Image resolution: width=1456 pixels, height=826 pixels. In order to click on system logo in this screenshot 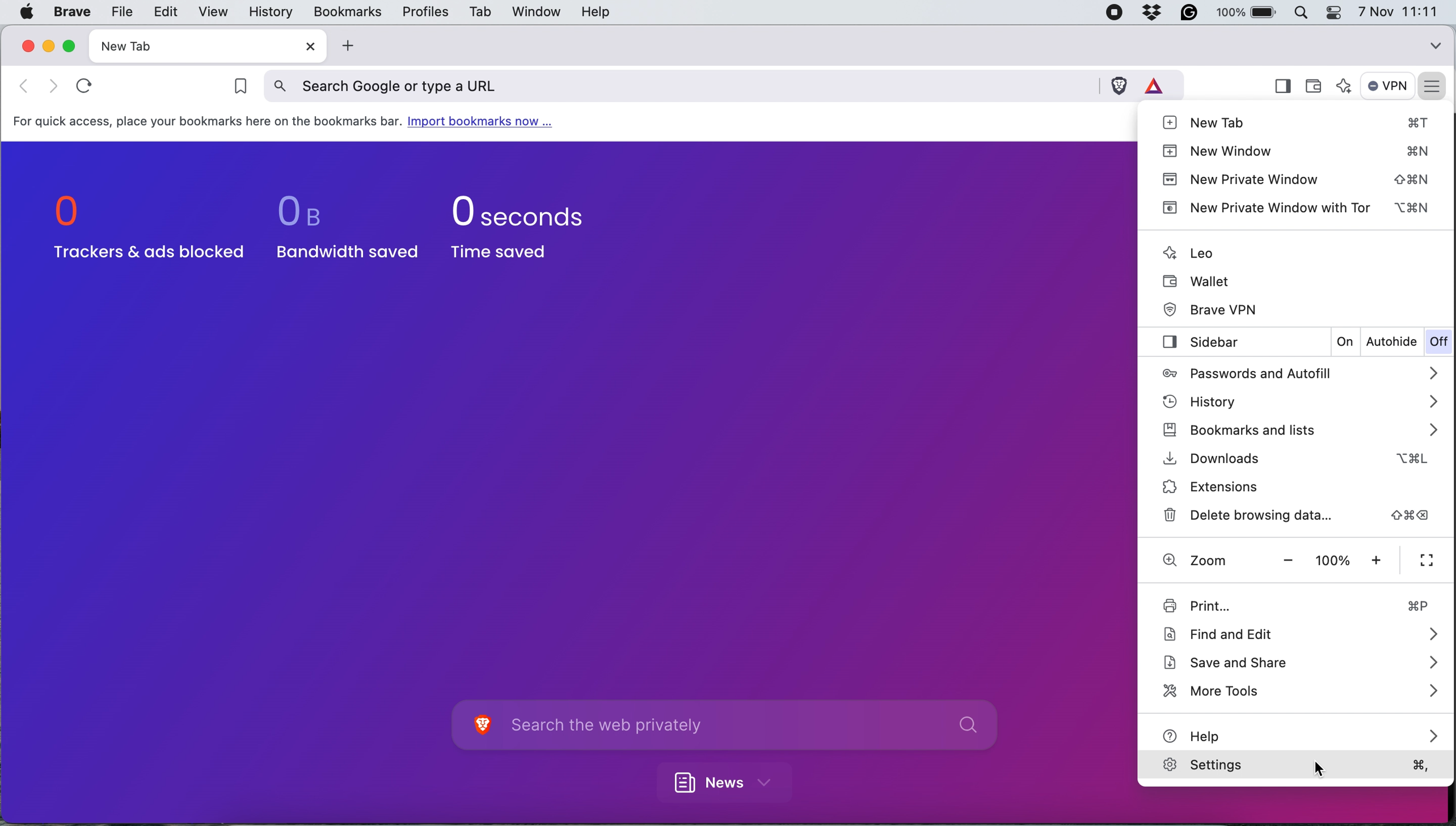, I will do `click(26, 11)`.